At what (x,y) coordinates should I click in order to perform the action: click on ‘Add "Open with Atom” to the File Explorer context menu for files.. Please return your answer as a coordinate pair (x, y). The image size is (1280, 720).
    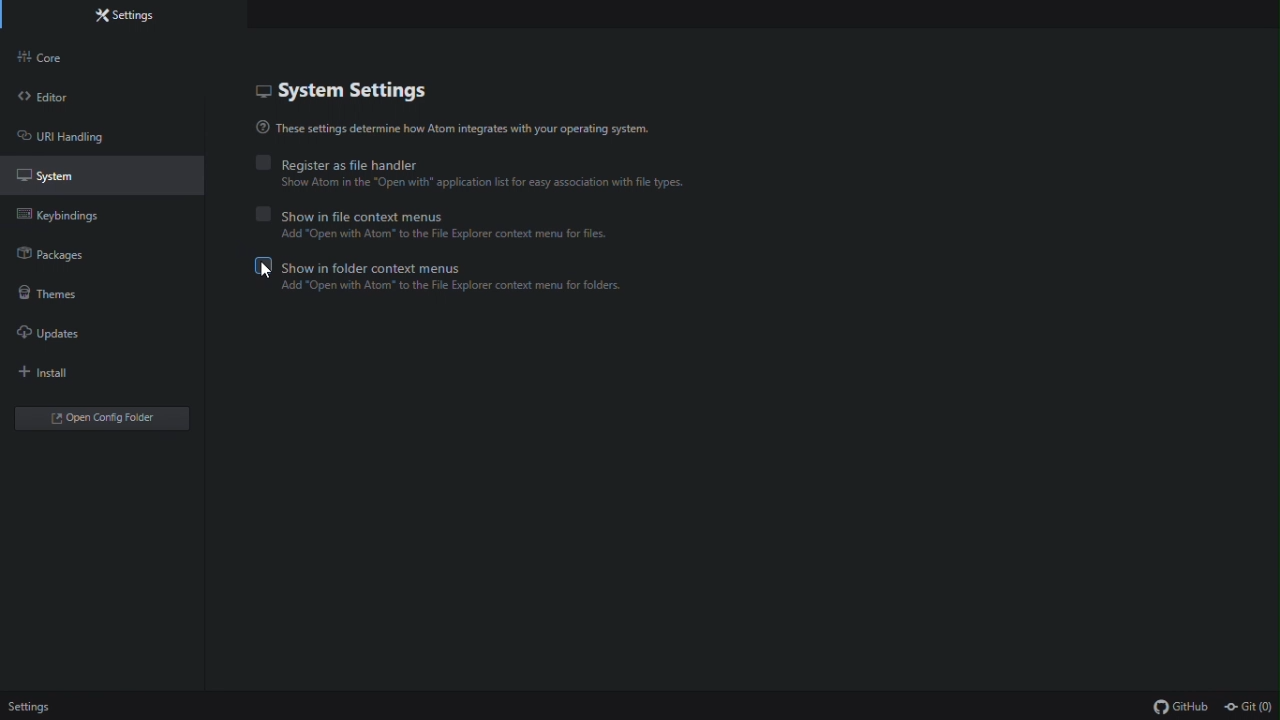
    Looking at the image, I should click on (448, 236).